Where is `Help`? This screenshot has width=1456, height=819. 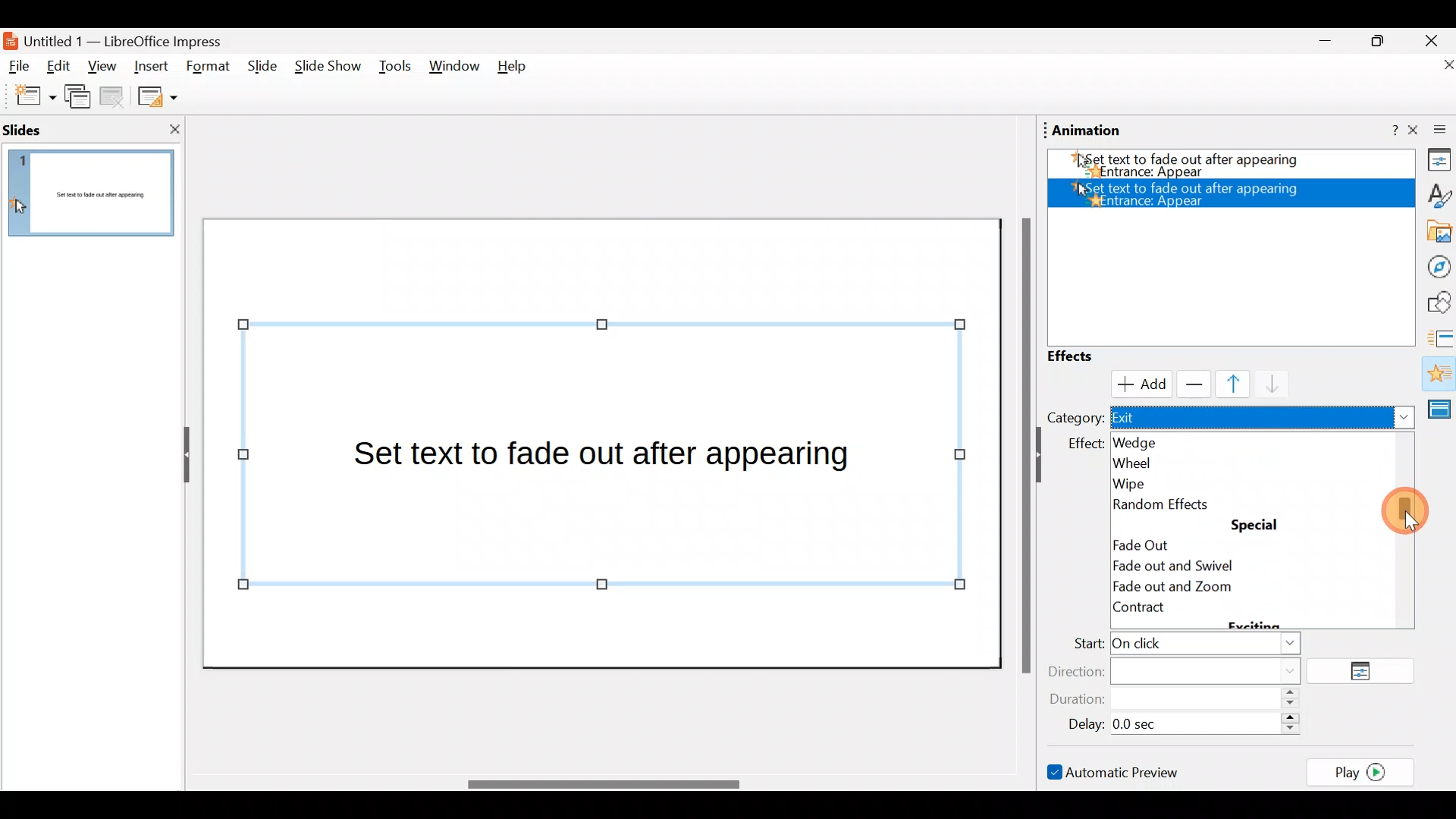
Help is located at coordinates (518, 70).